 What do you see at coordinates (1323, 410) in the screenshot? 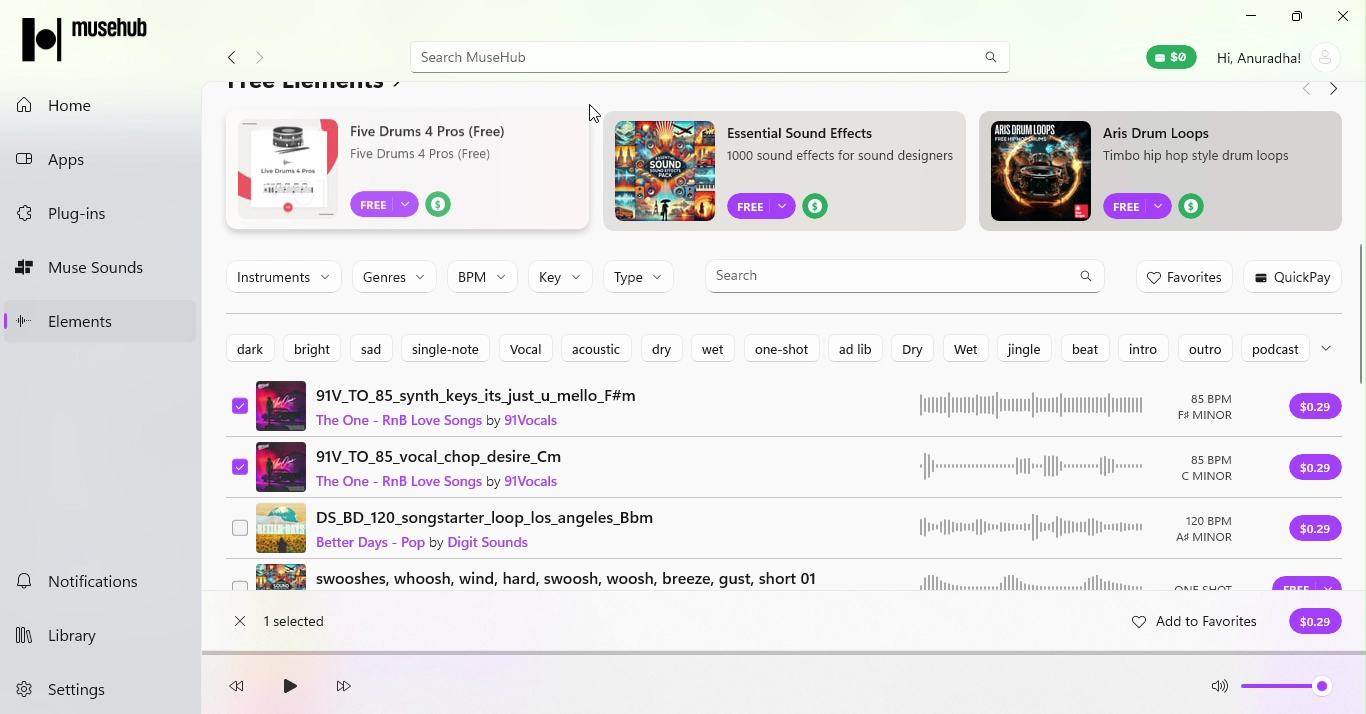
I see `Purchase` at bounding box center [1323, 410].